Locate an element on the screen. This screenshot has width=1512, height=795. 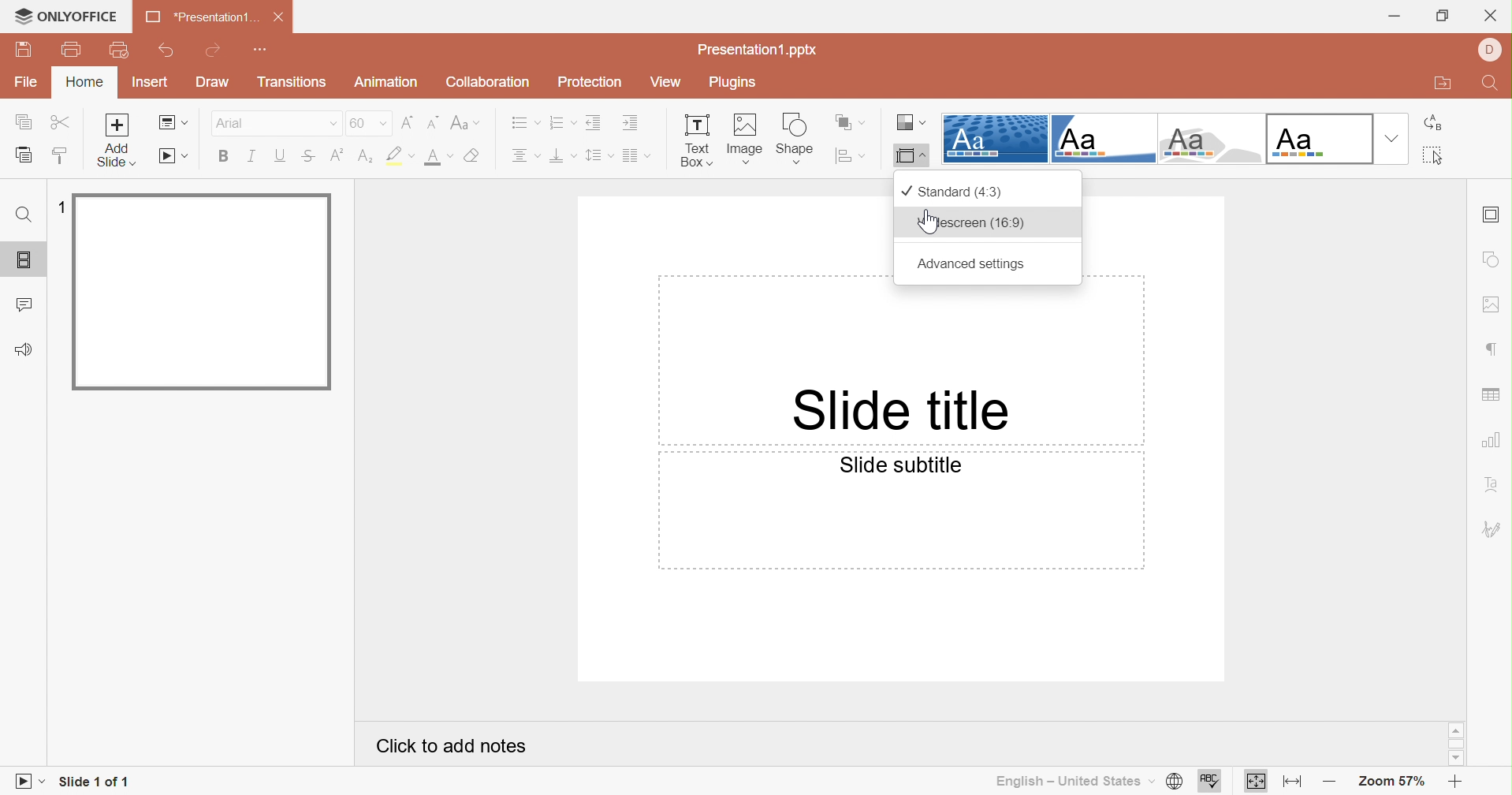
Dotted is located at coordinates (994, 137).